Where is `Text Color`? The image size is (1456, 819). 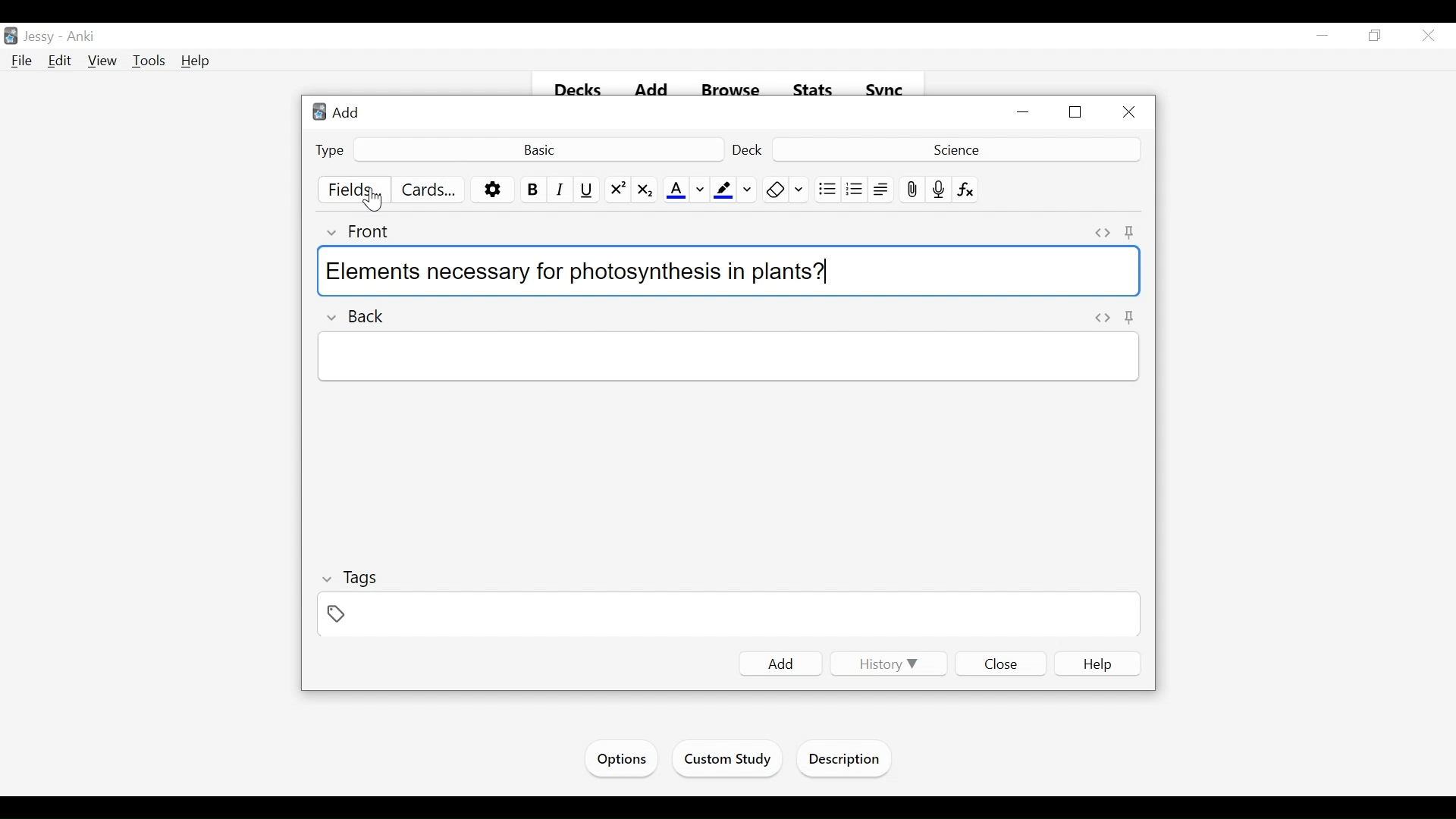 Text Color is located at coordinates (676, 190).